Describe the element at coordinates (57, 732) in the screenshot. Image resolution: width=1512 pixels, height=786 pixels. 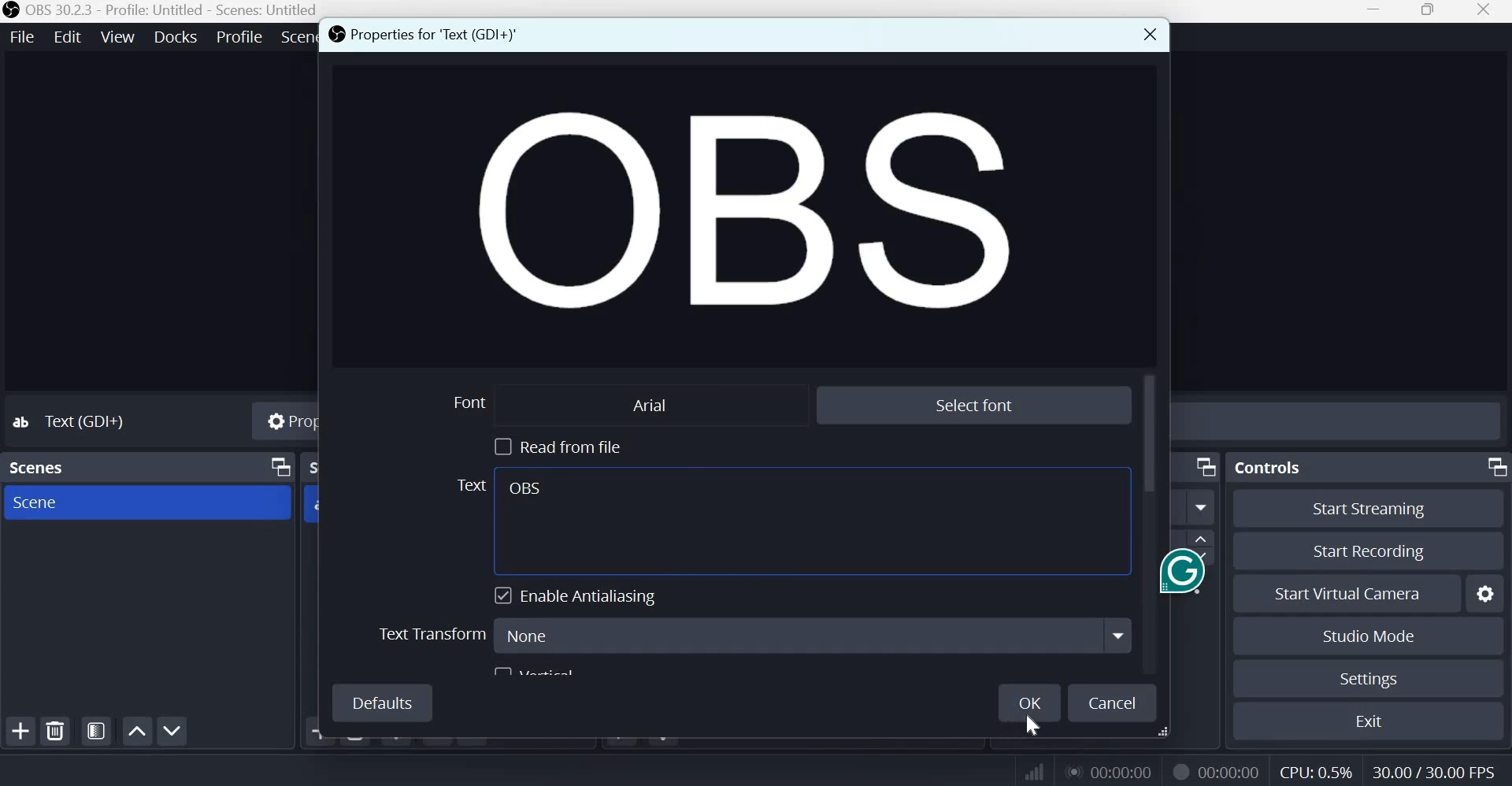
I see `Remove selected scene` at that location.